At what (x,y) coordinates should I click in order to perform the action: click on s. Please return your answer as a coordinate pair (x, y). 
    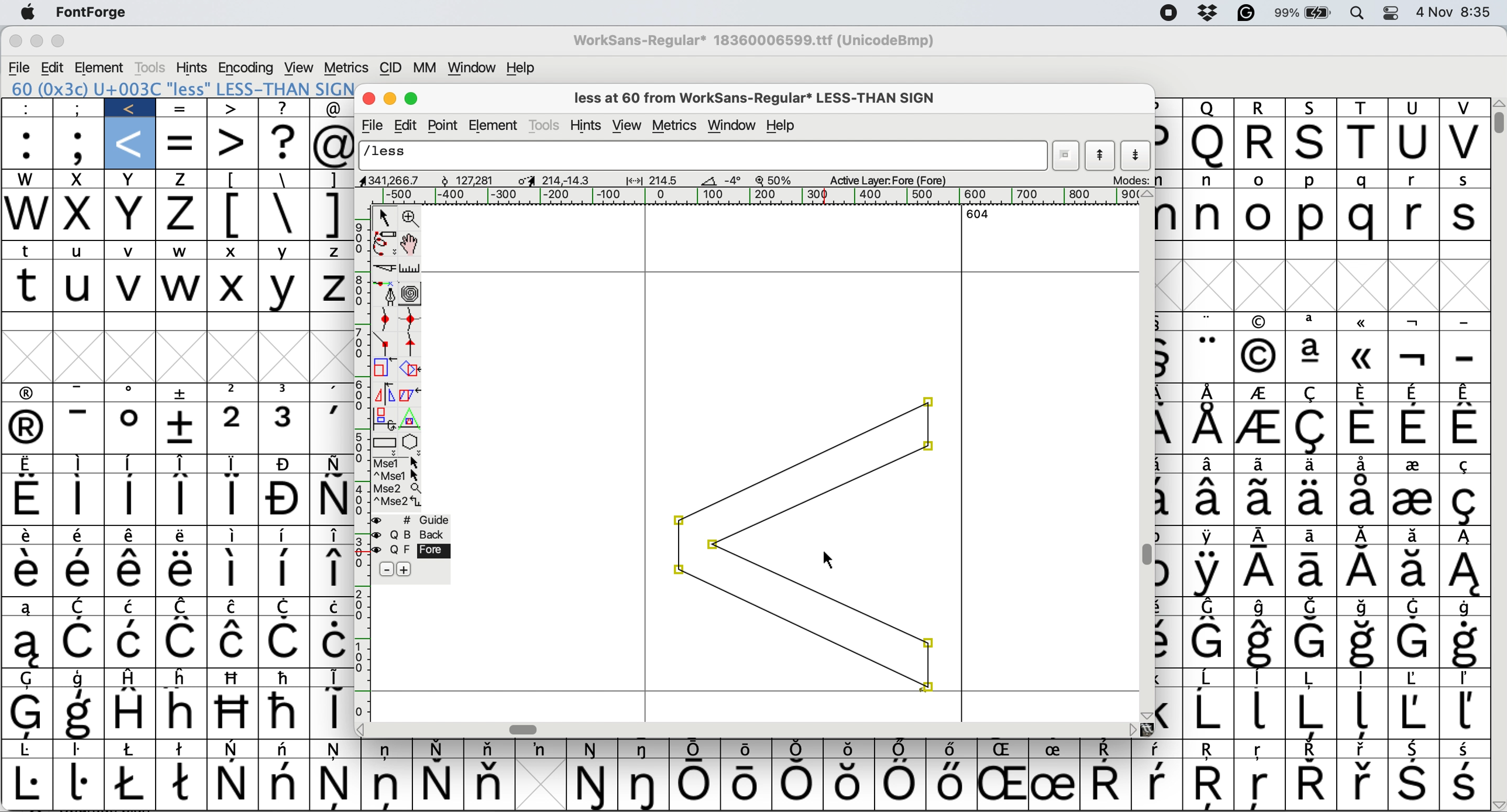
    Looking at the image, I should click on (1313, 108).